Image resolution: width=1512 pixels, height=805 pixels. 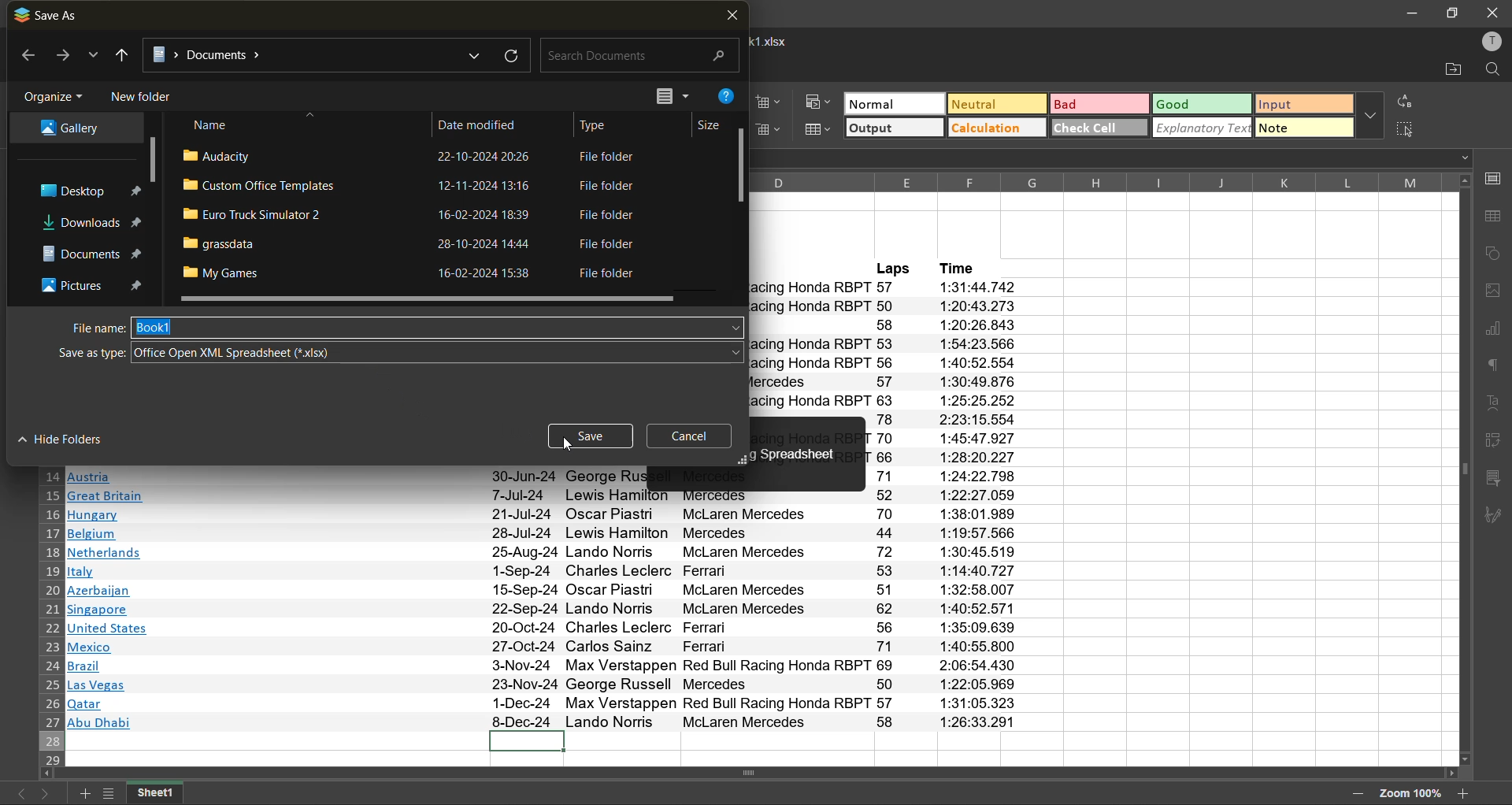 What do you see at coordinates (613, 157) in the screenshot?
I see `file folder` at bounding box center [613, 157].